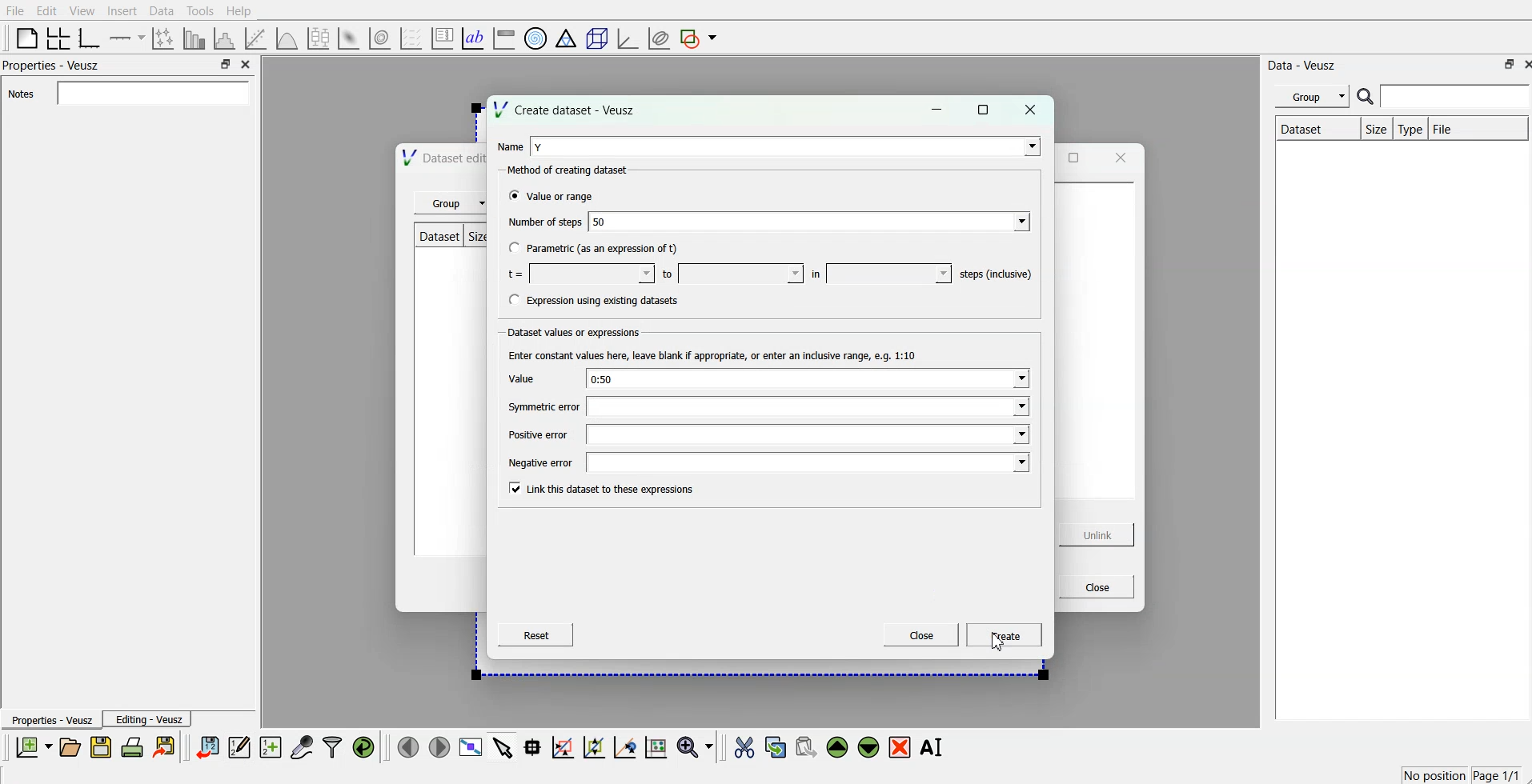 The image size is (1532, 784). What do you see at coordinates (998, 643) in the screenshot?
I see `cursor` at bounding box center [998, 643].